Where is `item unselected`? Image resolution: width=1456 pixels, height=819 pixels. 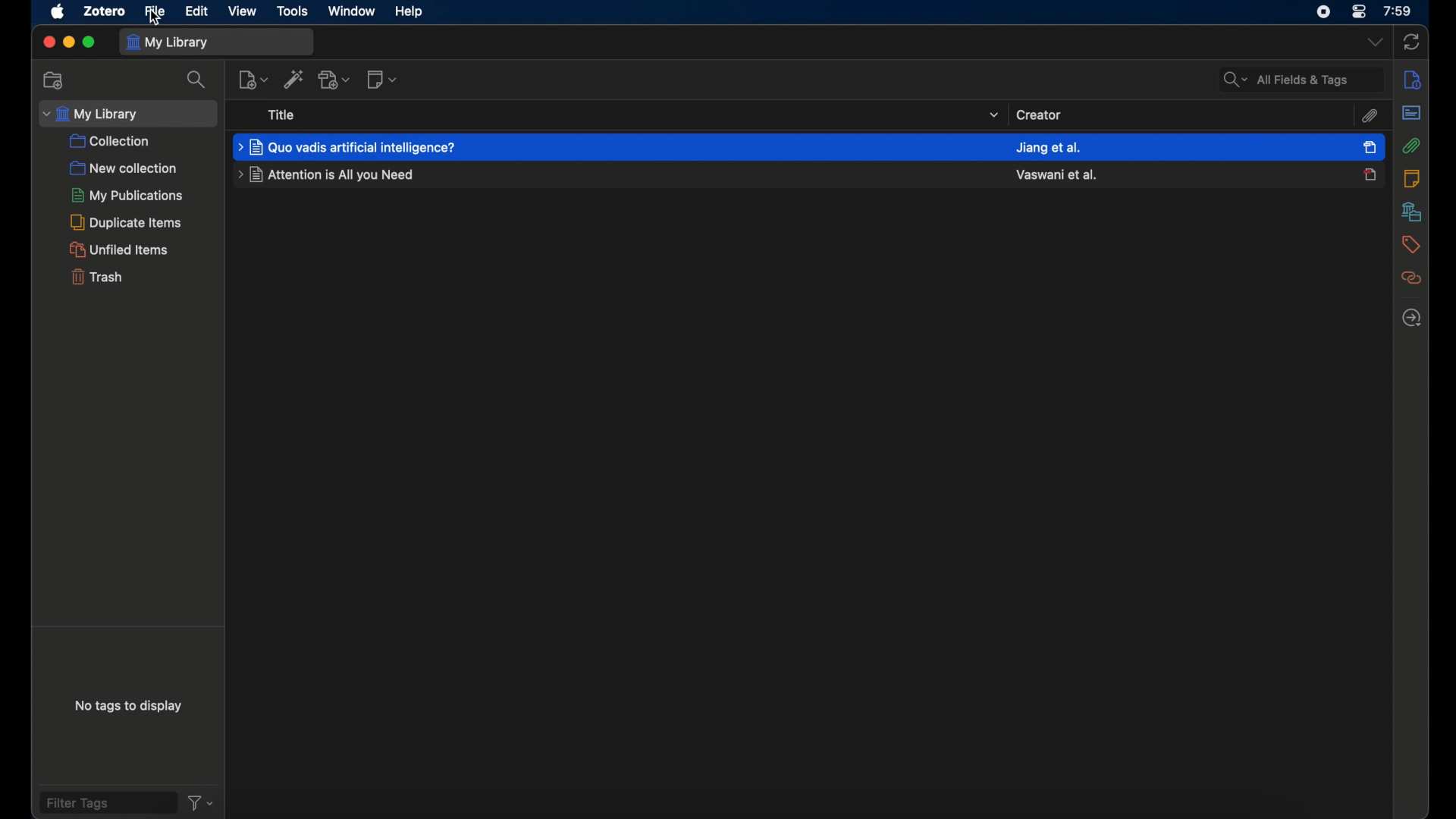
item unselected is located at coordinates (1370, 174).